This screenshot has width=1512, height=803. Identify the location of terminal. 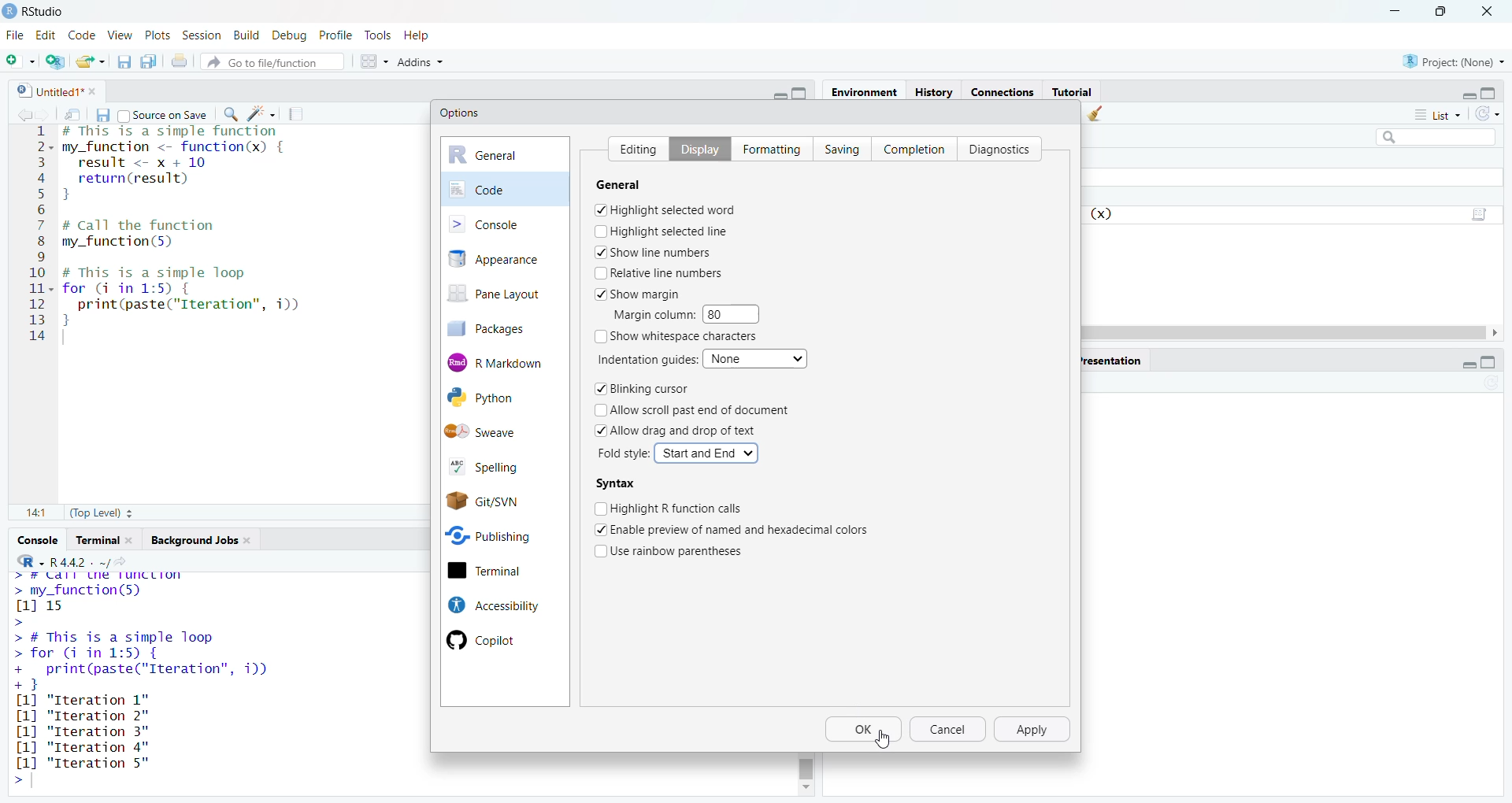
(502, 572).